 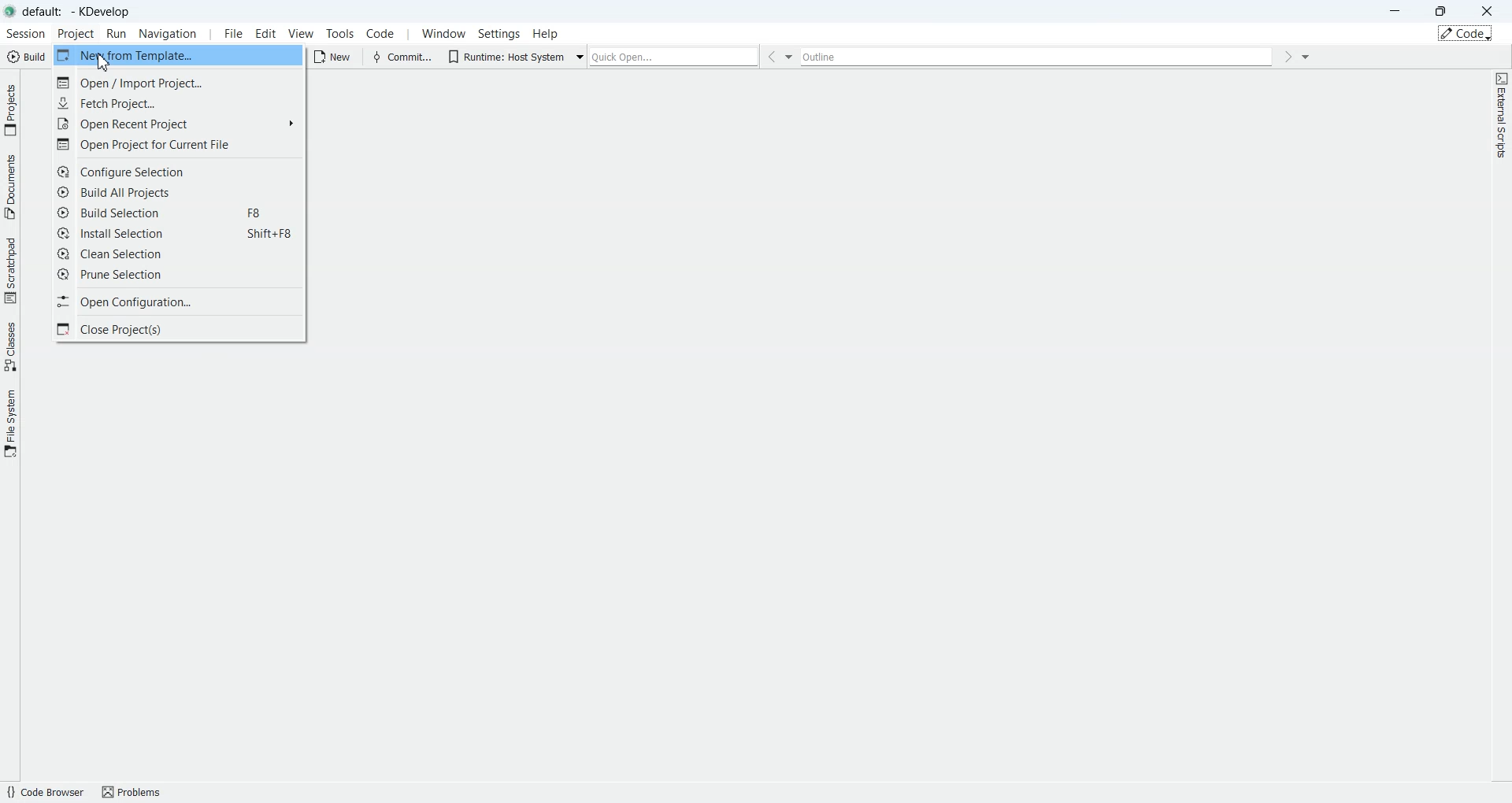 I want to click on Code, so click(x=381, y=33).